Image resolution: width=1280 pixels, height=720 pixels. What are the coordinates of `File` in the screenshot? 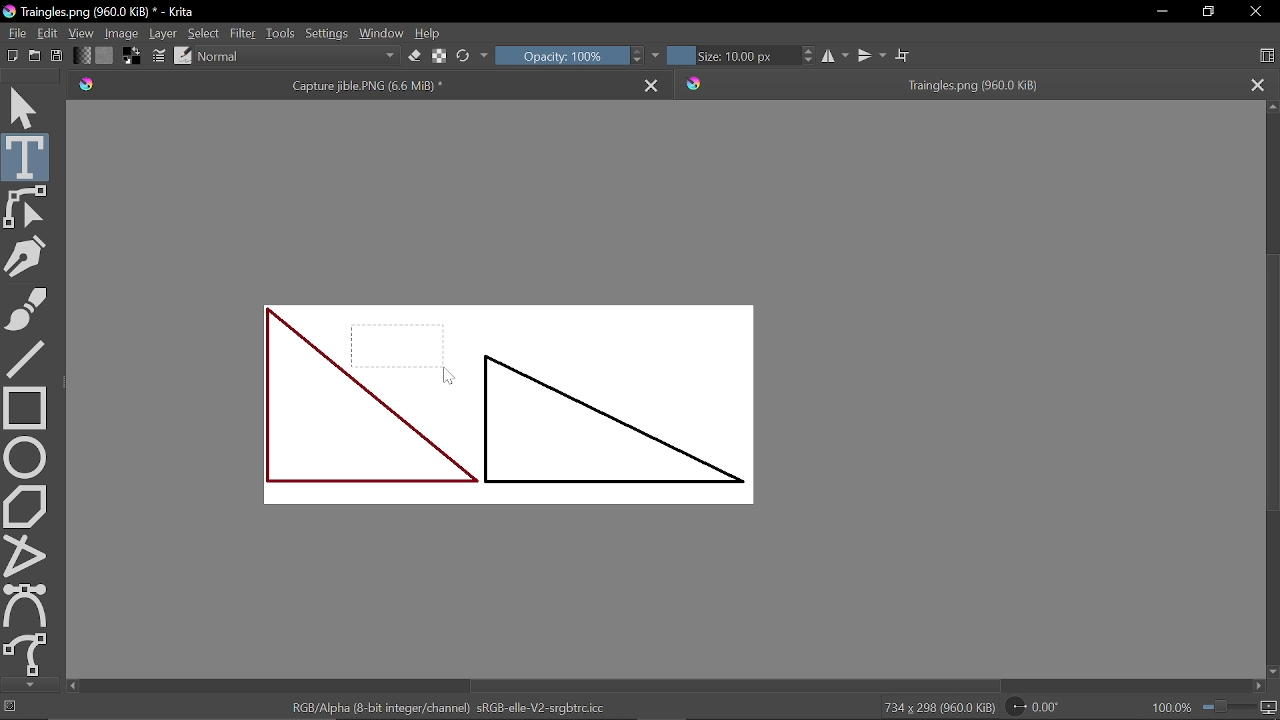 It's located at (14, 33).